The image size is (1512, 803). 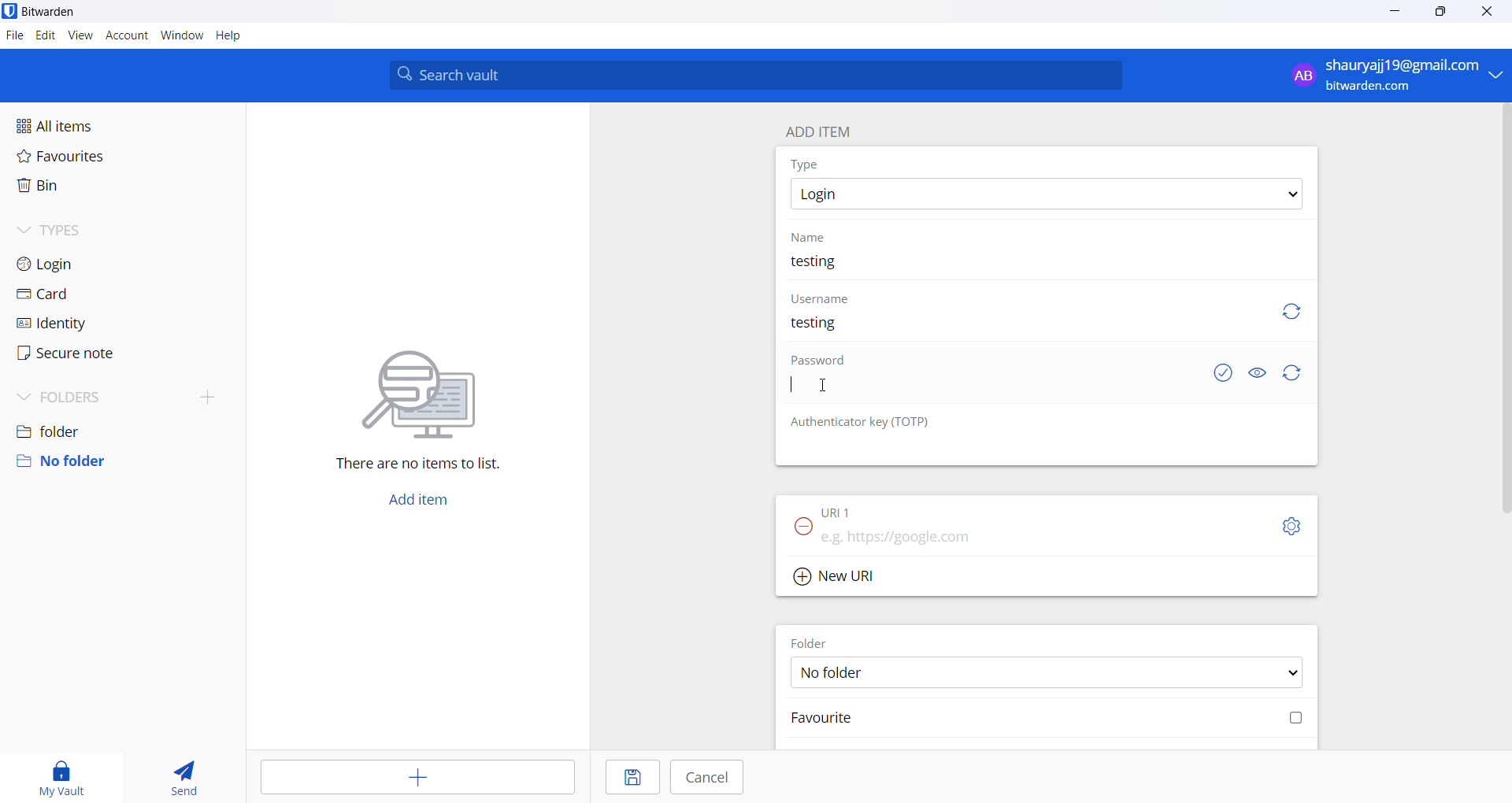 What do you see at coordinates (417, 502) in the screenshot?
I see `add button` at bounding box center [417, 502].